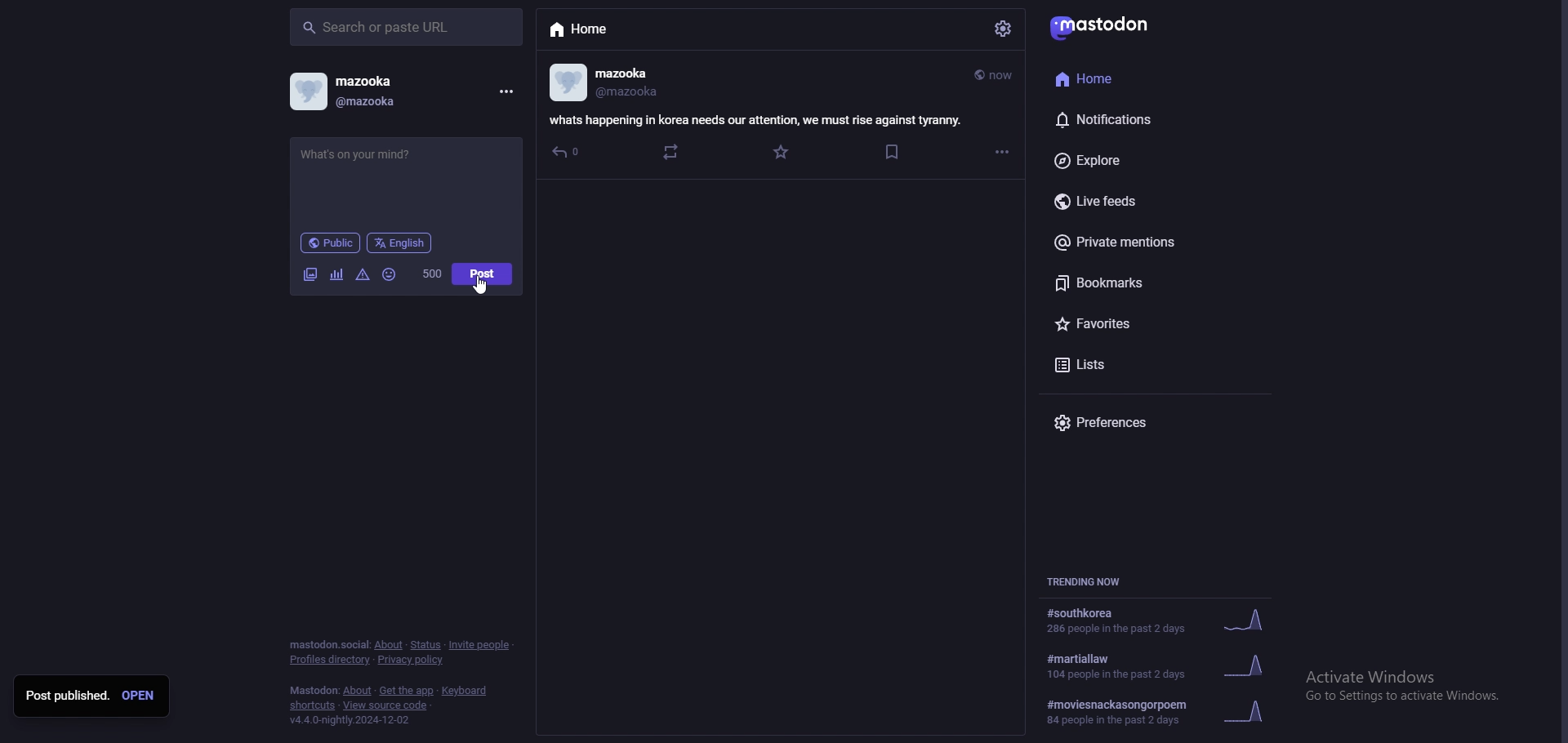 The image size is (1568, 743). What do you see at coordinates (753, 120) in the screenshot?
I see `status` at bounding box center [753, 120].